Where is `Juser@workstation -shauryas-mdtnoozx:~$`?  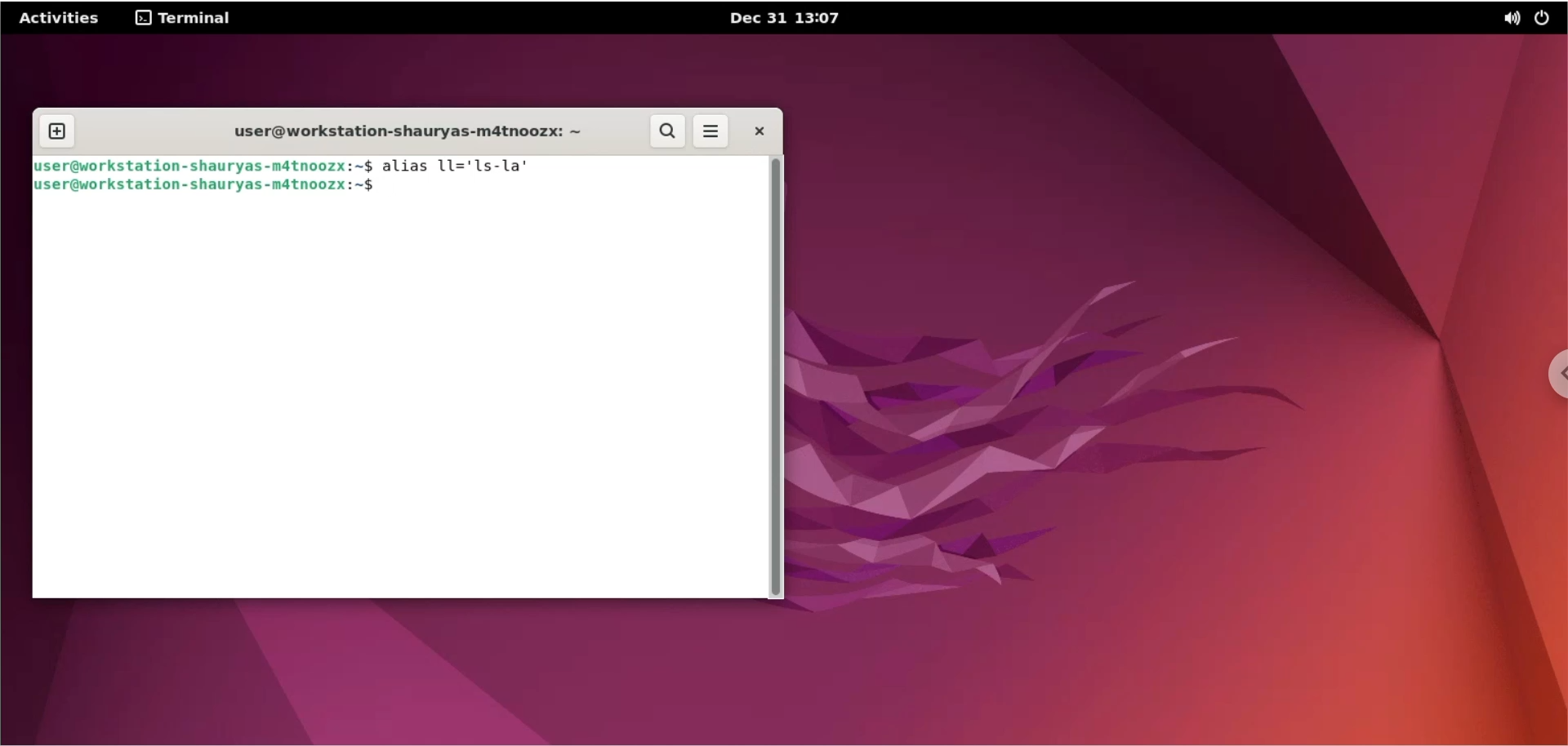 Juser@workstation -shauryas-mdtnoozx:~$ is located at coordinates (210, 185).